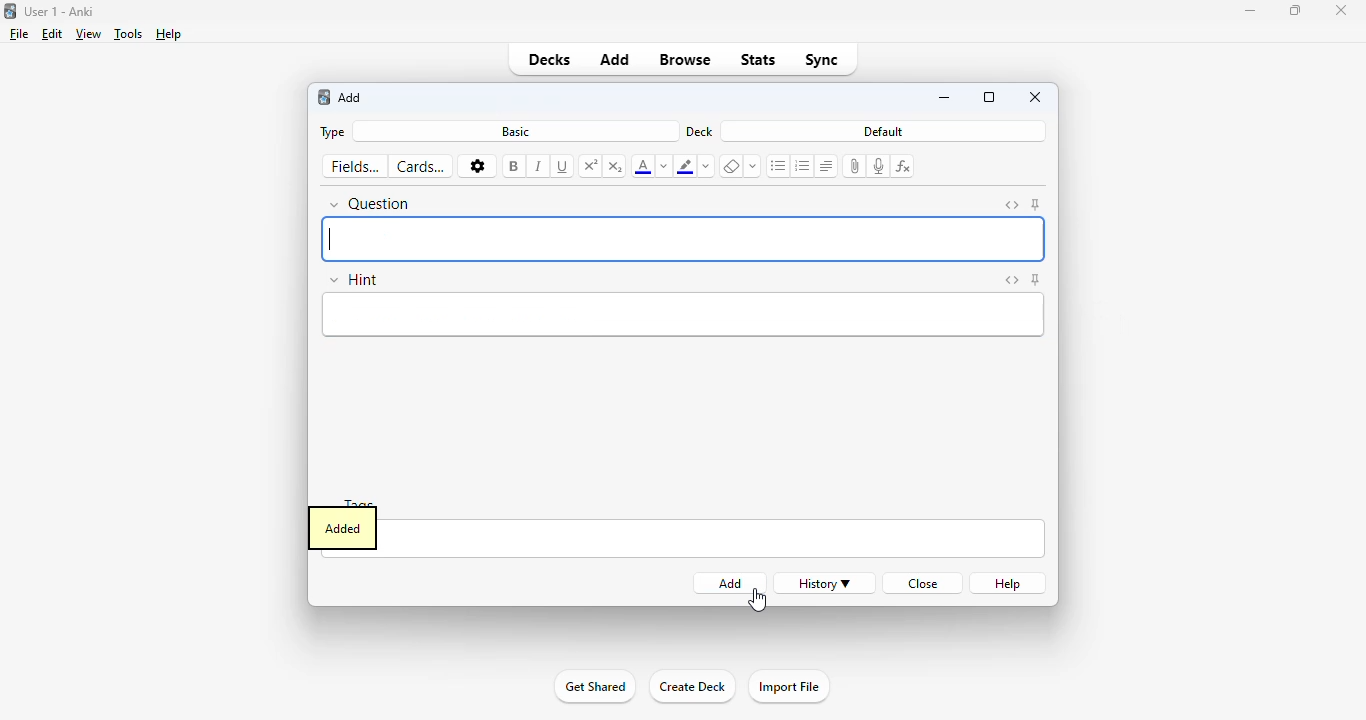  I want to click on logo, so click(11, 11).